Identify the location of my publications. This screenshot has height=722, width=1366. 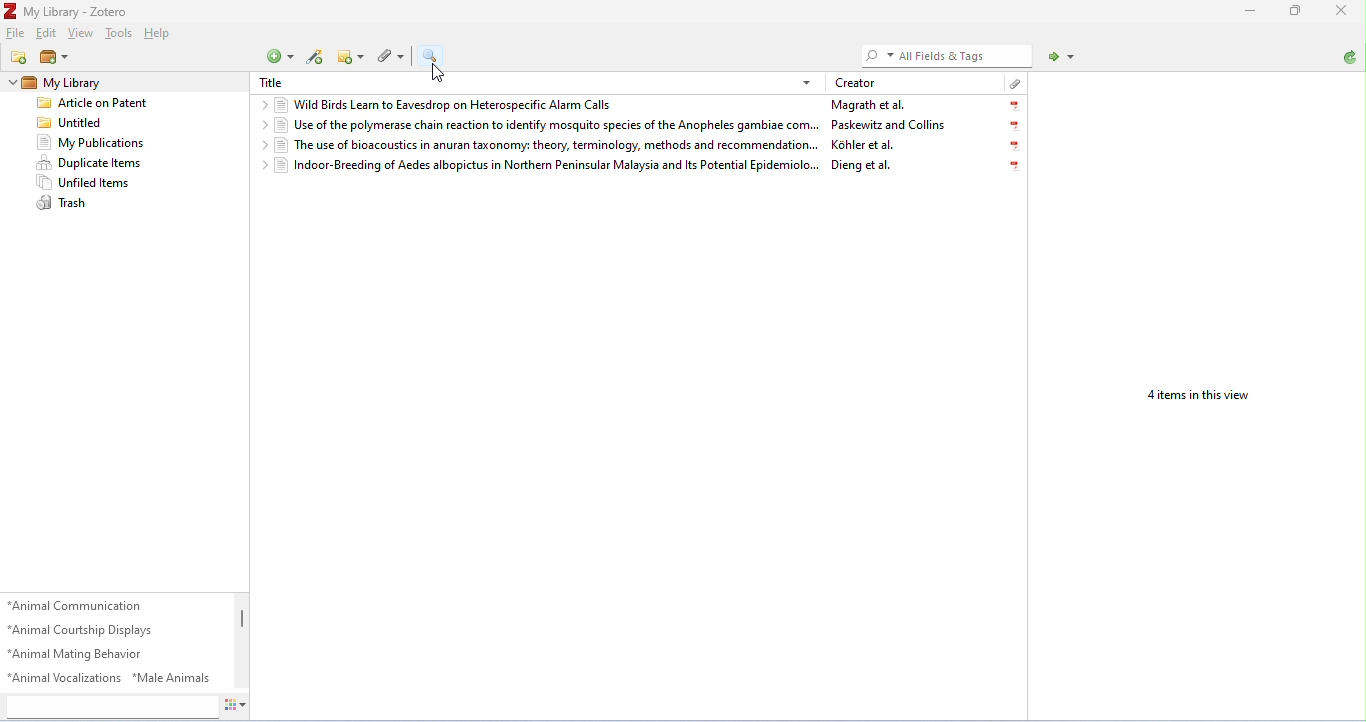
(90, 143).